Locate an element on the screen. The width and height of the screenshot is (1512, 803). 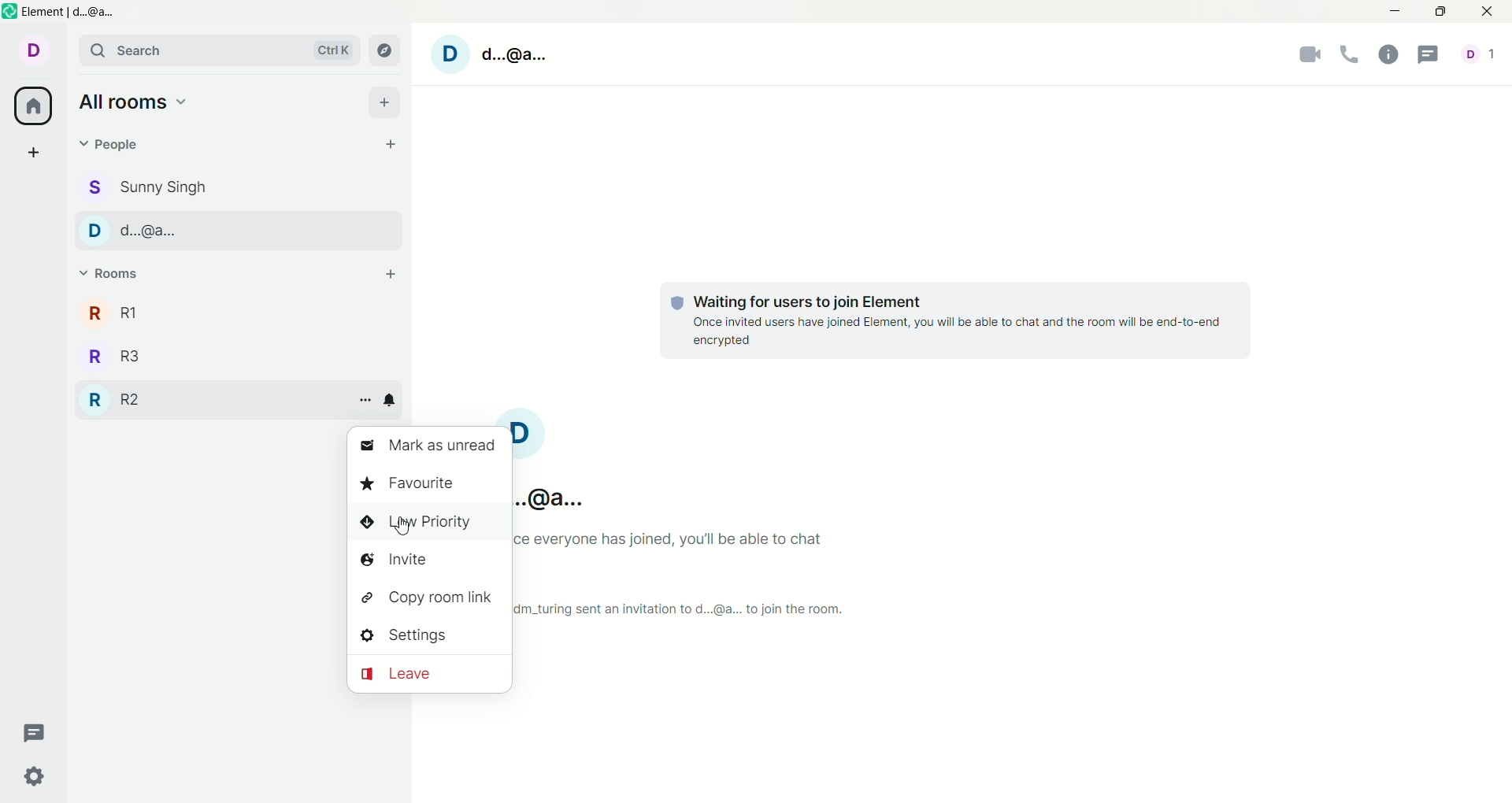
invite is located at coordinates (401, 561).